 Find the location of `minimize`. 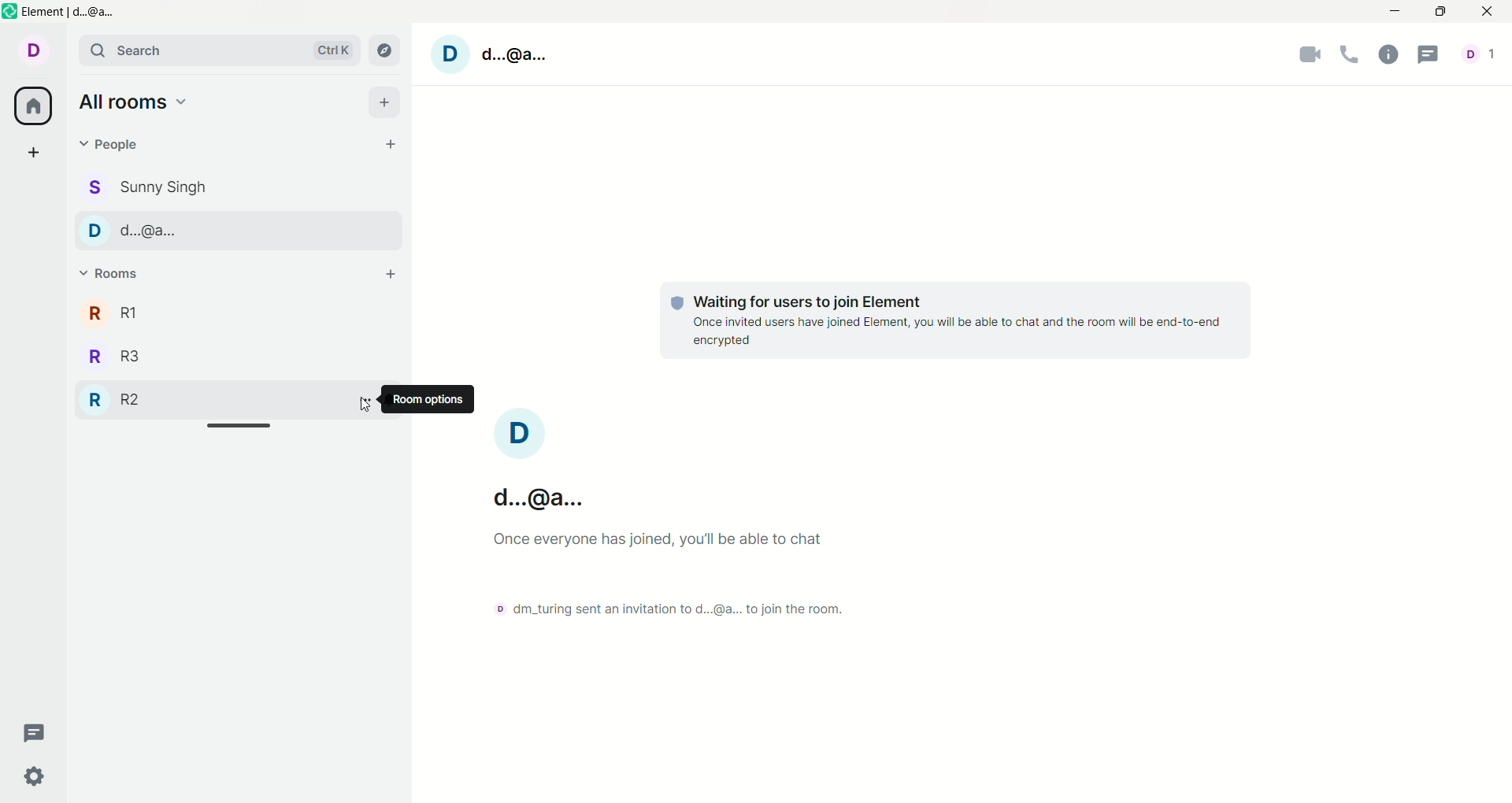

minimize is located at coordinates (1396, 9).